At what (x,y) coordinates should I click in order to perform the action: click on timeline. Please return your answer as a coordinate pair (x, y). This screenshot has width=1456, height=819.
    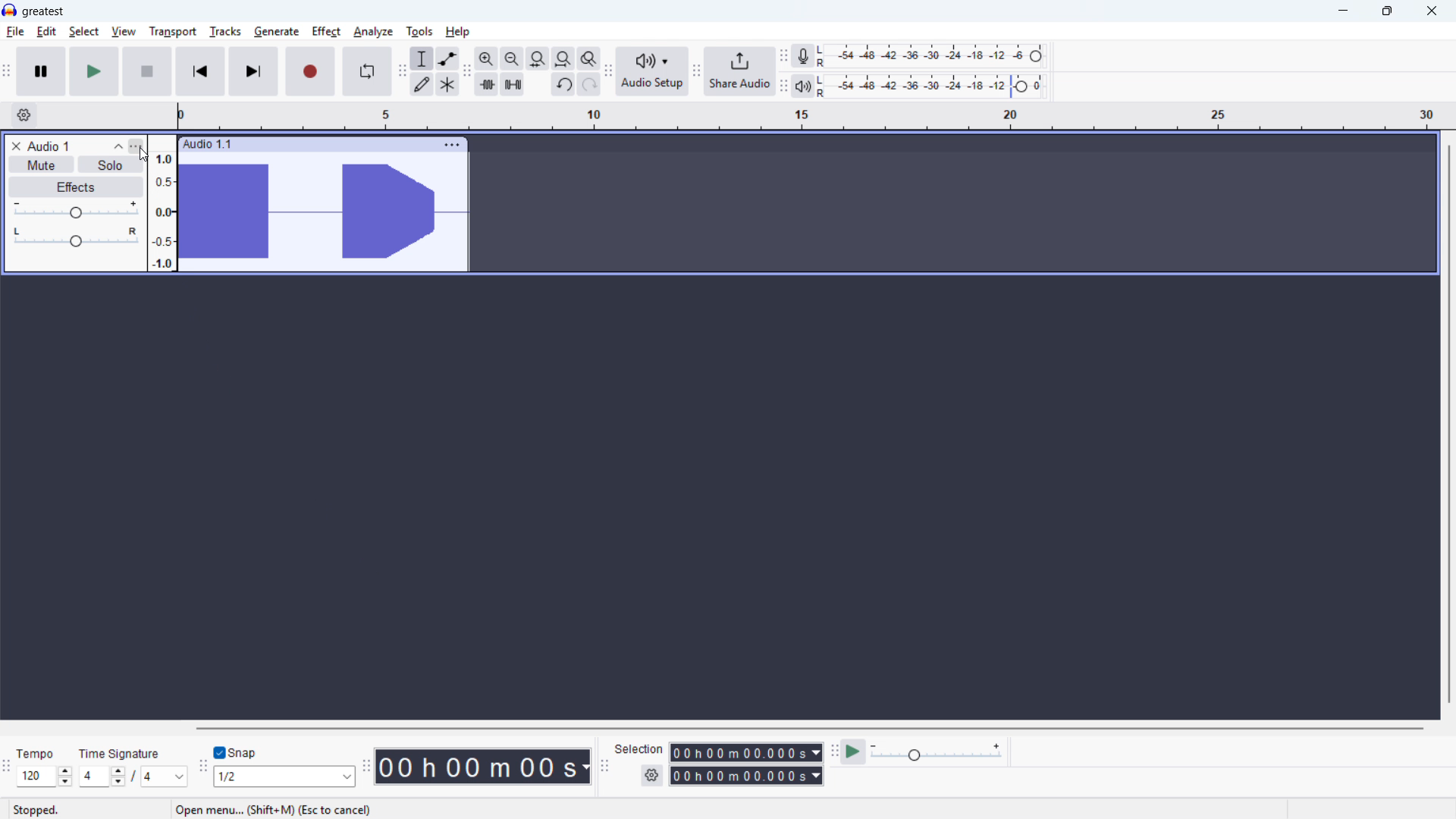
    Looking at the image, I should click on (815, 115).